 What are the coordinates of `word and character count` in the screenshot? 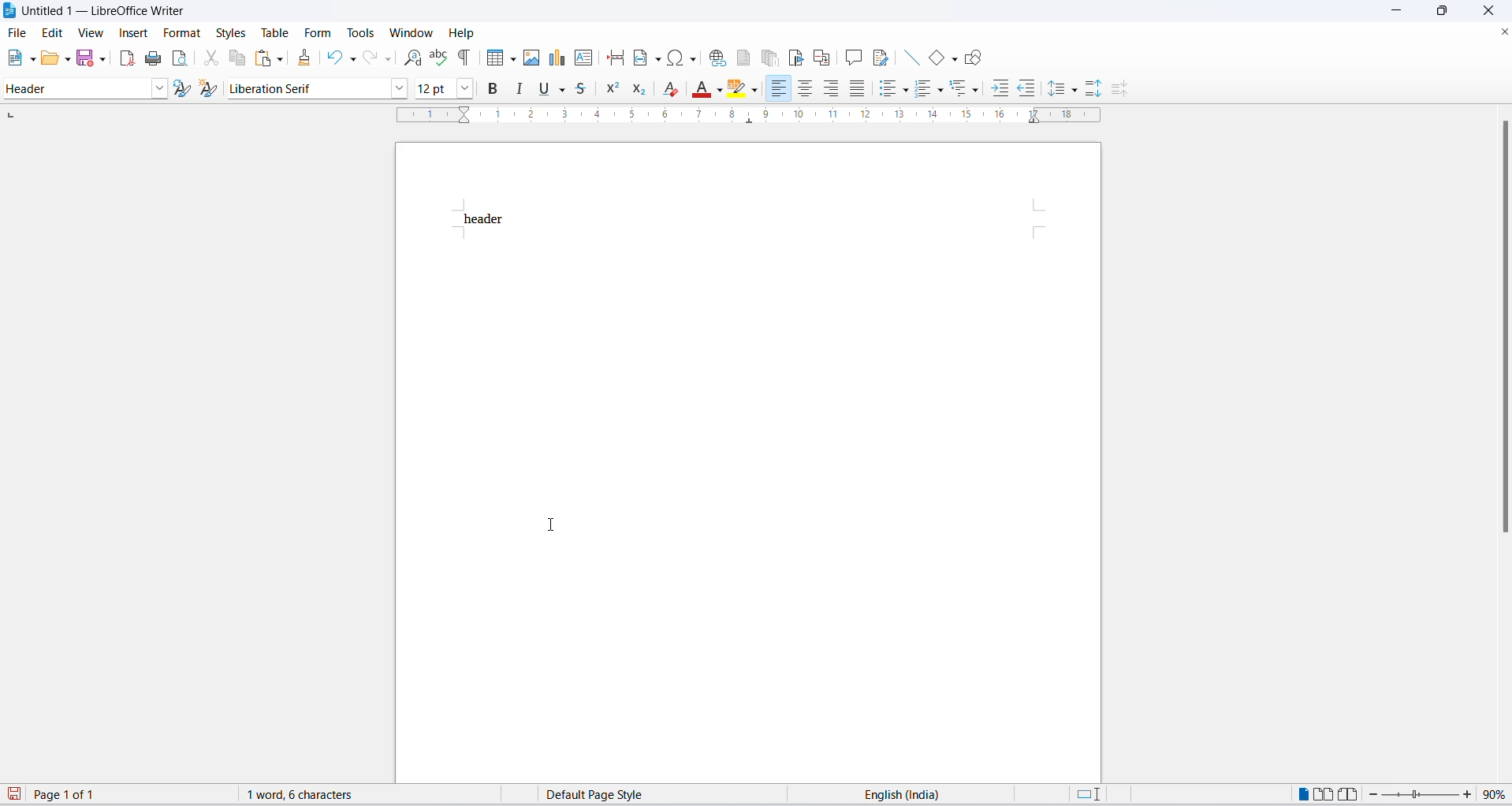 It's located at (306, 795).